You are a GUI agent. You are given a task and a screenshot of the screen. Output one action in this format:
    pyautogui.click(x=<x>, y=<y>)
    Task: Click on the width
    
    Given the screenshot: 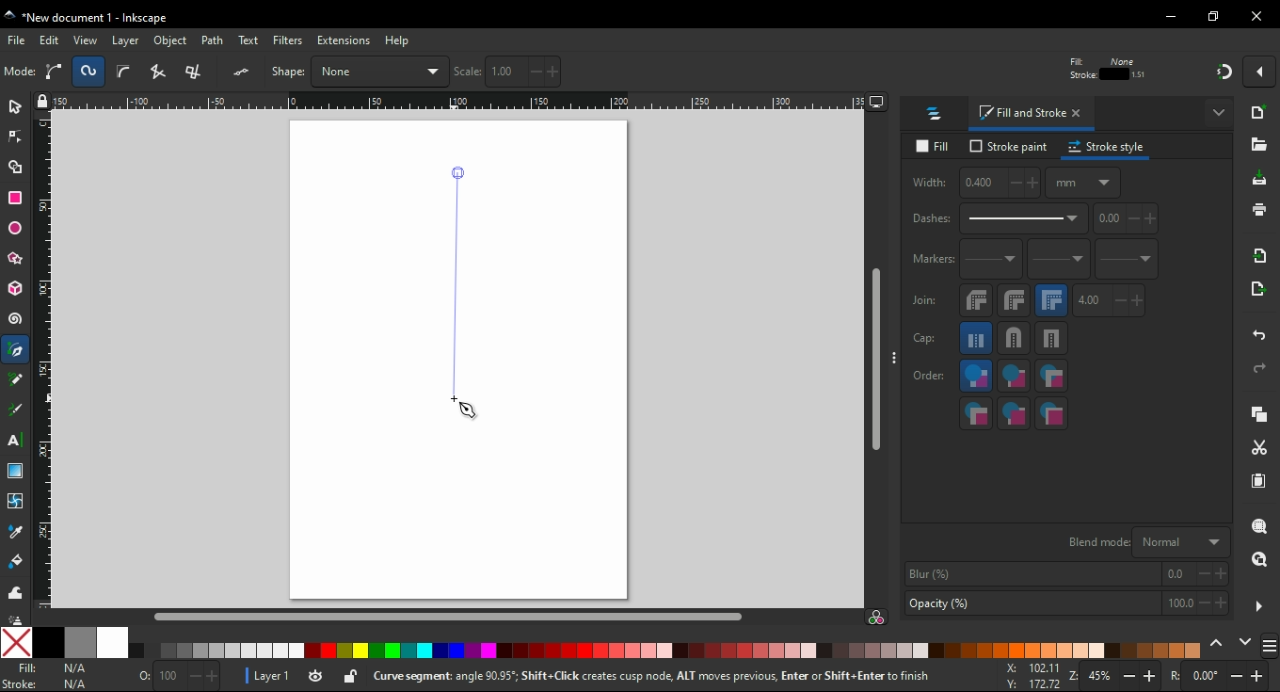 What is the action you would take?
    pyautogui.click(x=974, y=183)
    